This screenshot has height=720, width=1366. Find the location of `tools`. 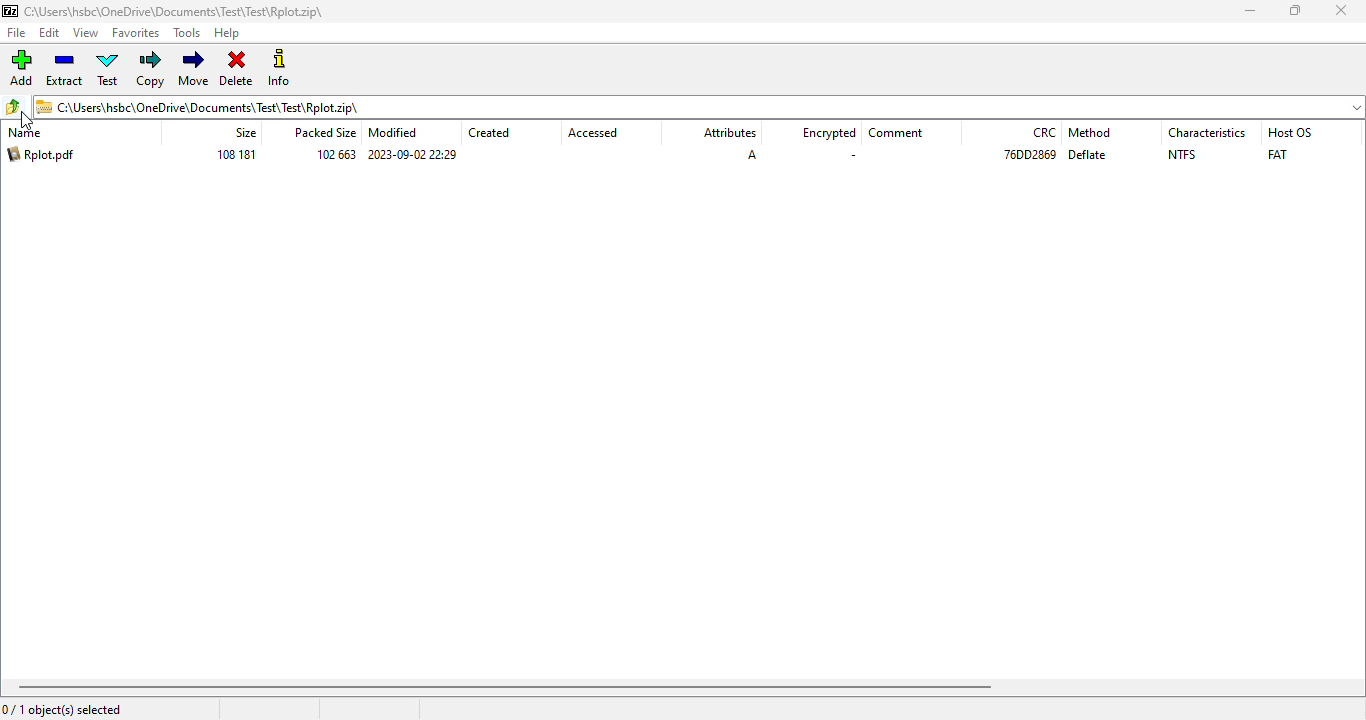

tools is located at coordinates (186, 32).